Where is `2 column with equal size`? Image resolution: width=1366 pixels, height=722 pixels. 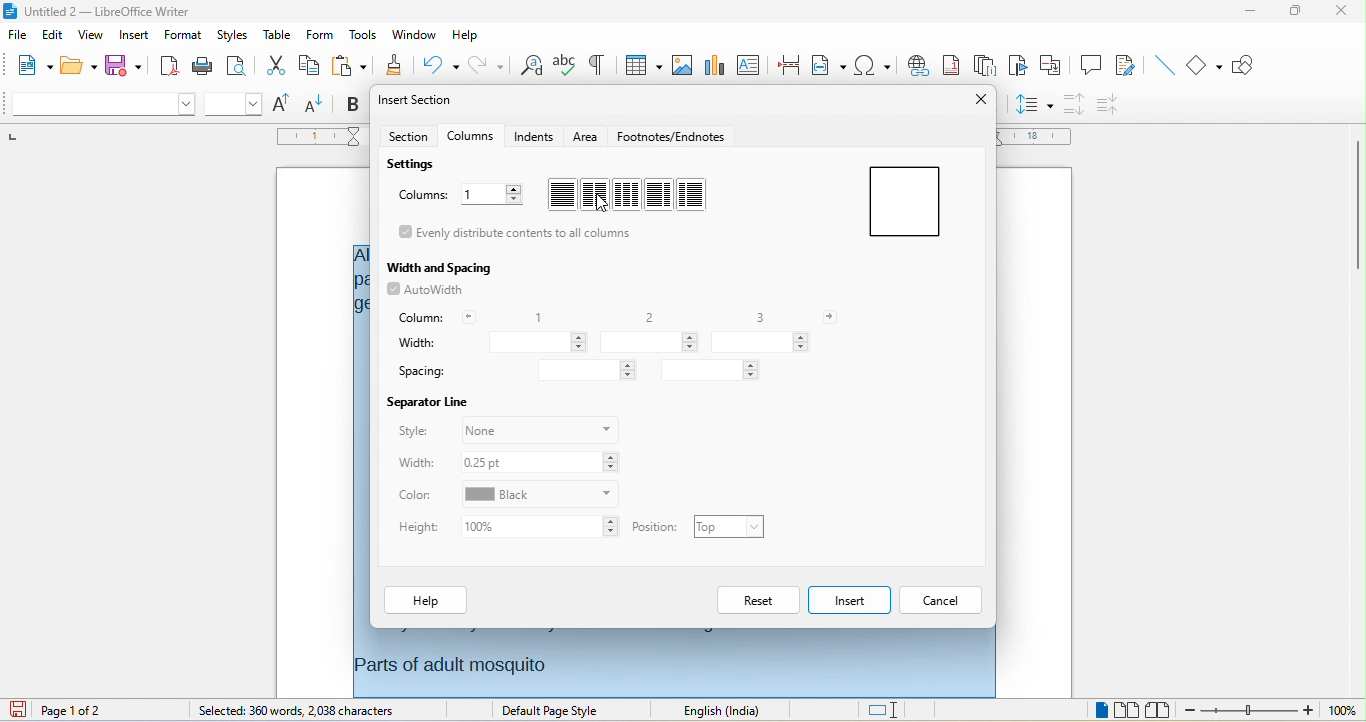 2 column with equal size is located at coordinates (596, 194).